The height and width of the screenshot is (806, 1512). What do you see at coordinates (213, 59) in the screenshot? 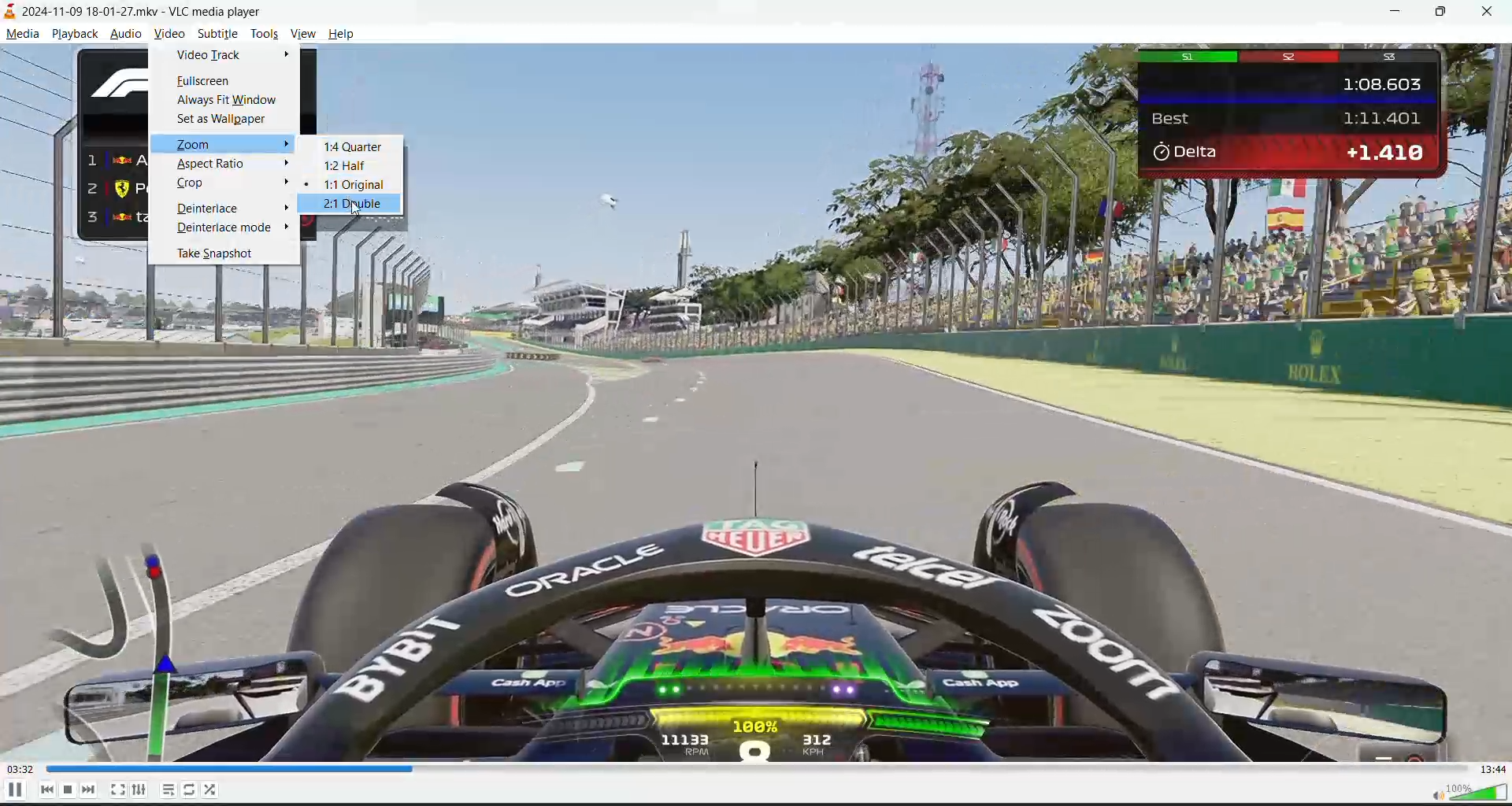
I see `video track` at bounding box center [213, 59].